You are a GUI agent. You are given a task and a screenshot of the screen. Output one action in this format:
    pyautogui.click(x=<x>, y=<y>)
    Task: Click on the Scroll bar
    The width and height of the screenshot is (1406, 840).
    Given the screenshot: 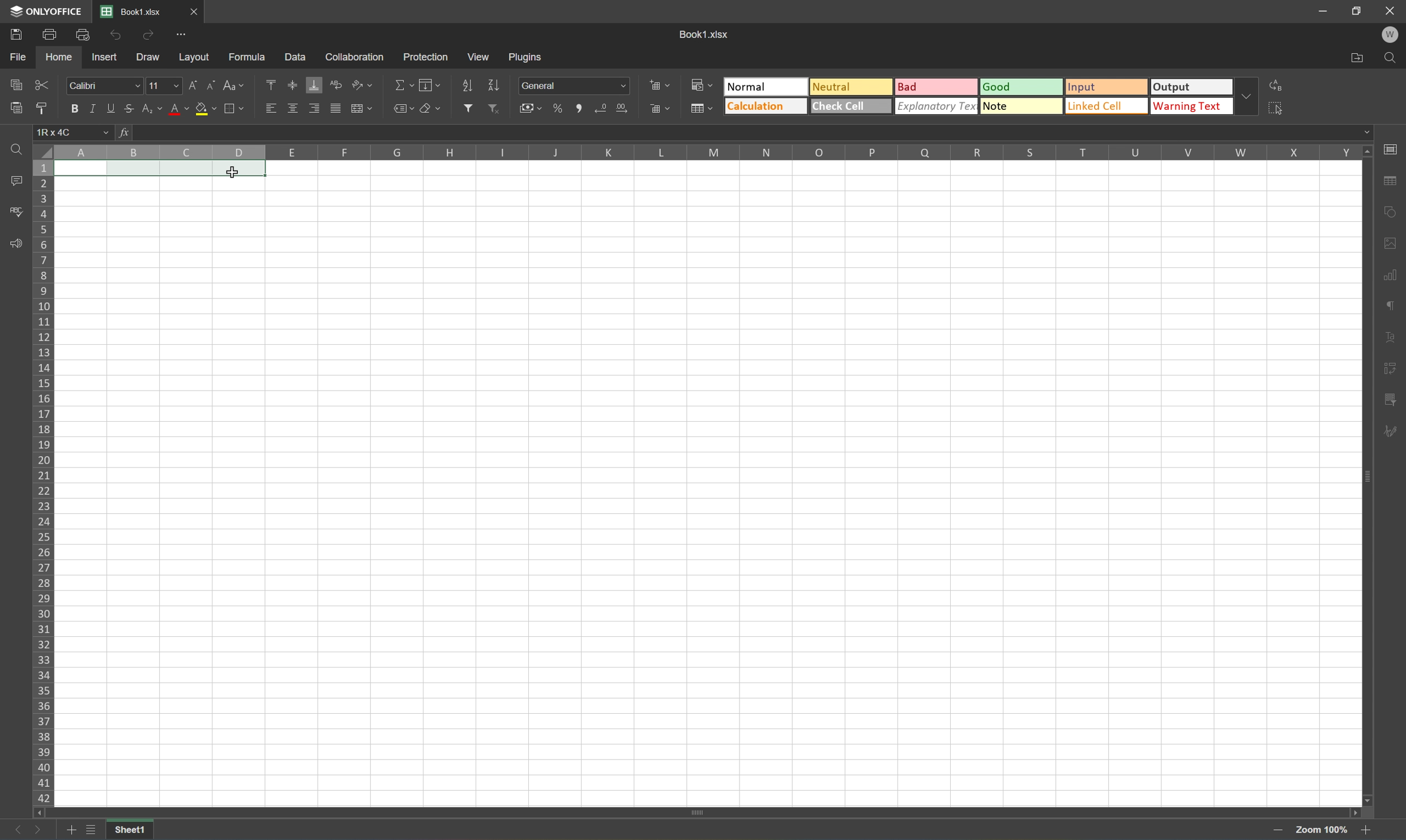 What is the action you would take?
    pyautogui.click(x=1364, y=477)
    